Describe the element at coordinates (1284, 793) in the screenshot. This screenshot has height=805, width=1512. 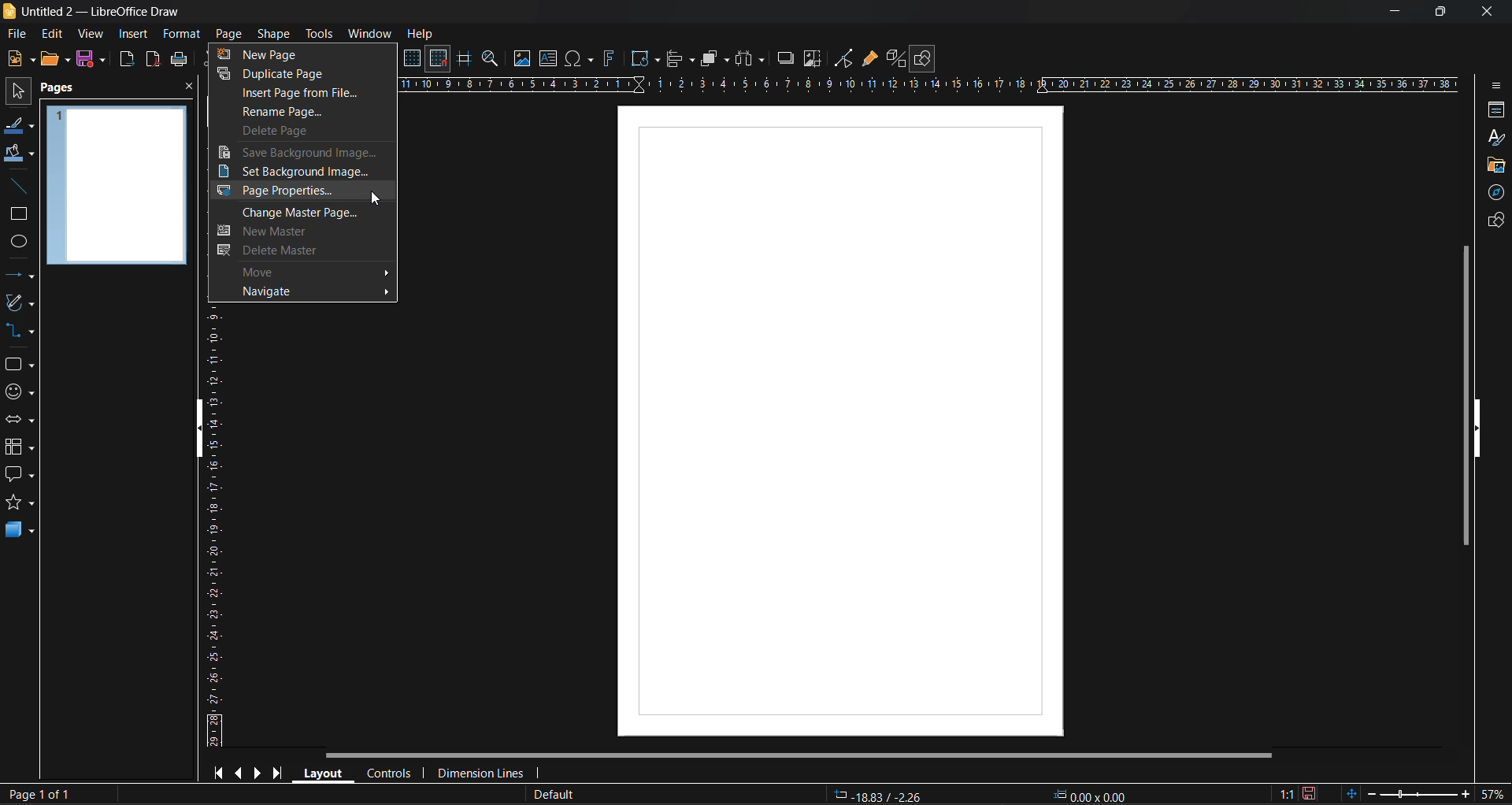
I see `scaling factor` at that location.